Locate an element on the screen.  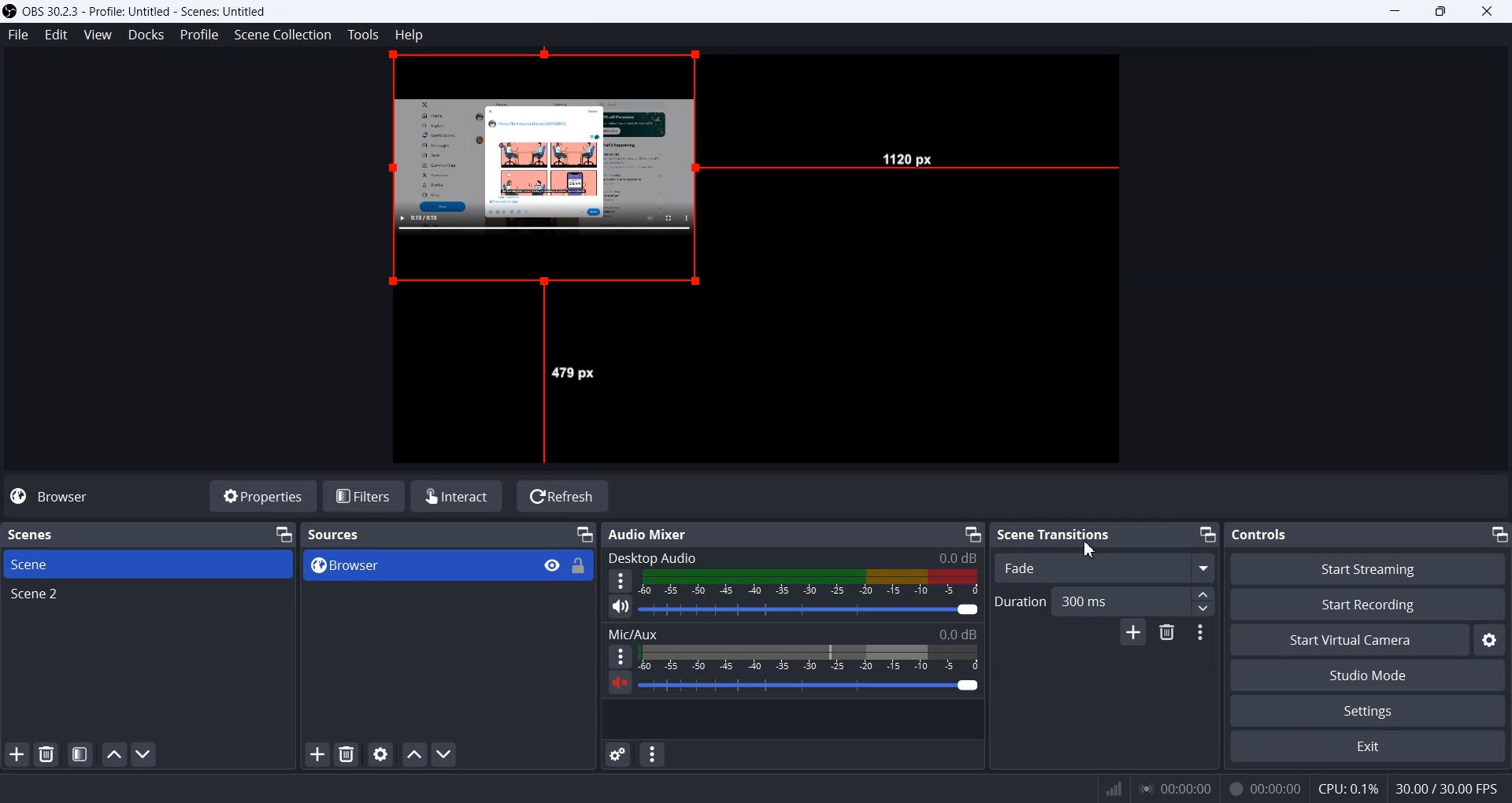
Browser is located at coordinates (54, 498).